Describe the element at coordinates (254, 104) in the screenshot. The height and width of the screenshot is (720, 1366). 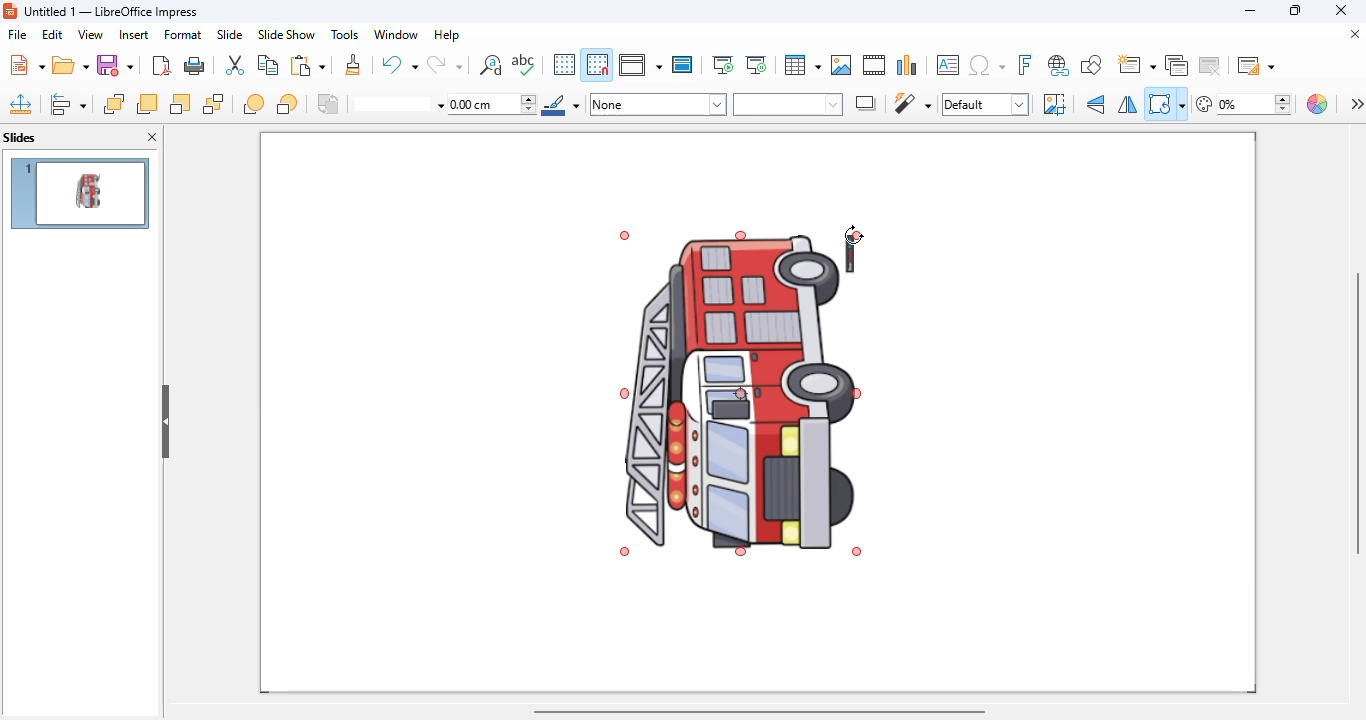
I see `in front of objects` at that location.